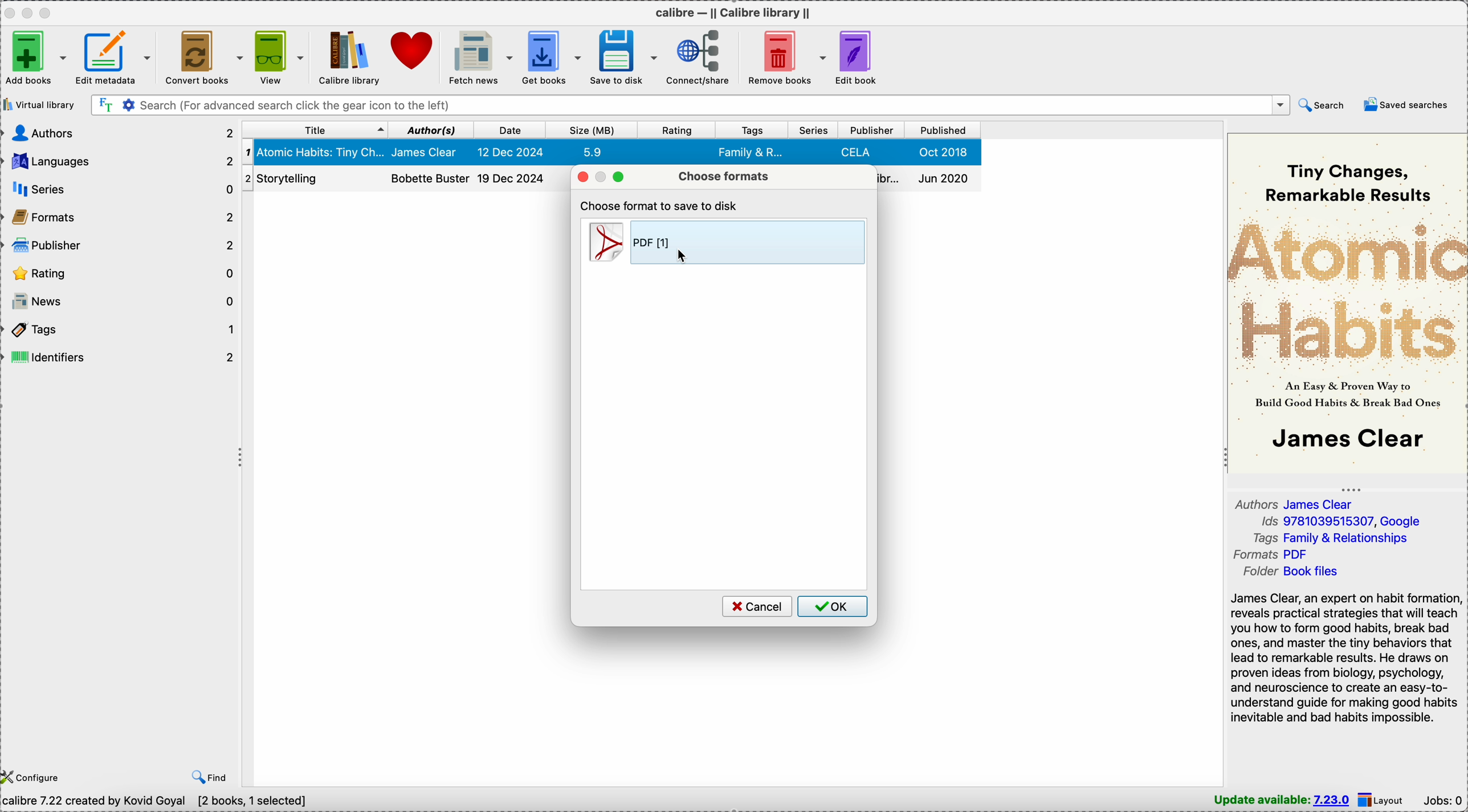 The image size is (1468, 812). Describe the element at coordinates (724, 242) in the screenshot. I see `PDF format` at that location.